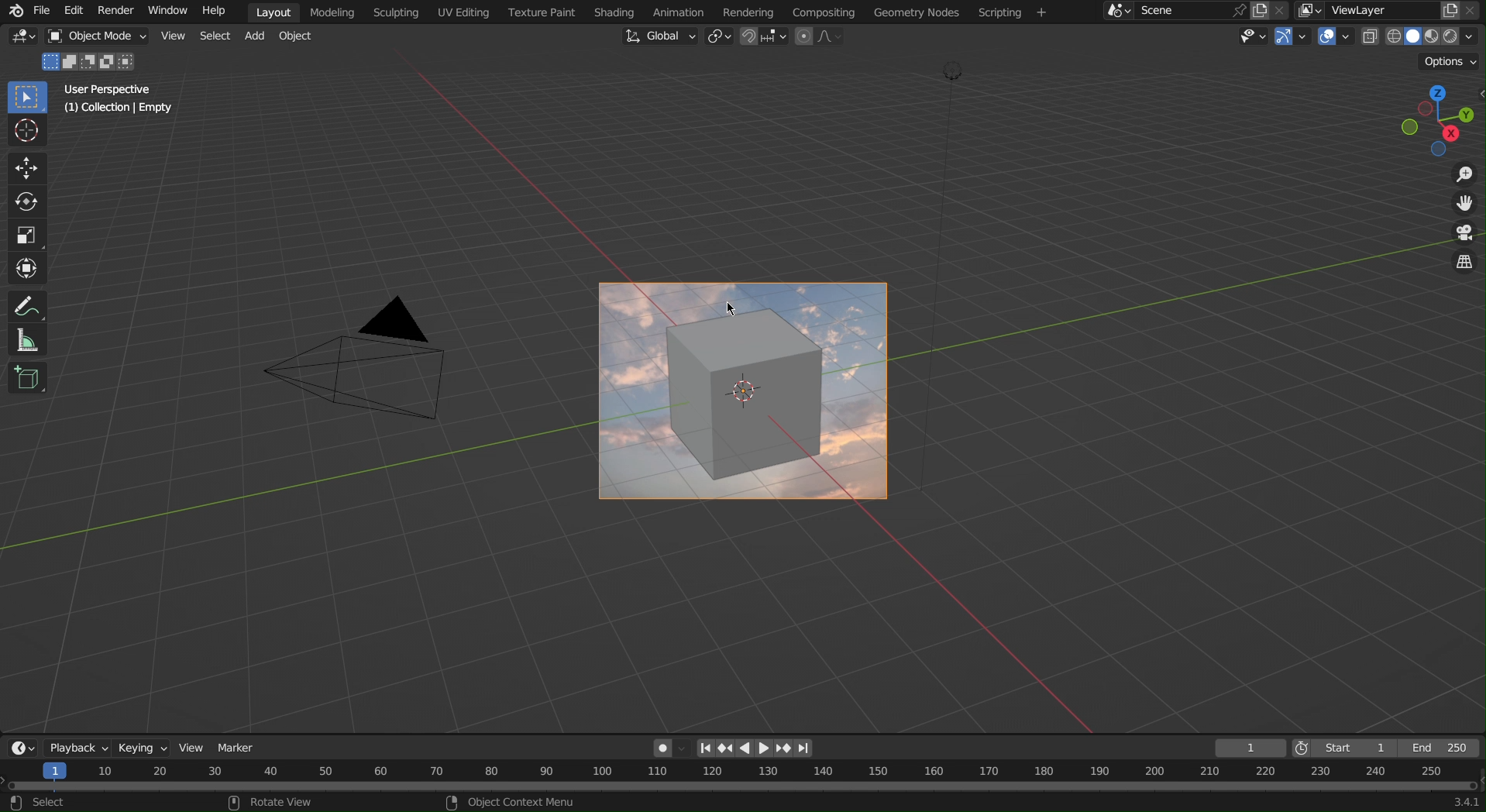 The width and height of the screenshot is (1486, 812). Describe the element at coordinates (216, 37) in the screenshot. I see `Select` at that location.